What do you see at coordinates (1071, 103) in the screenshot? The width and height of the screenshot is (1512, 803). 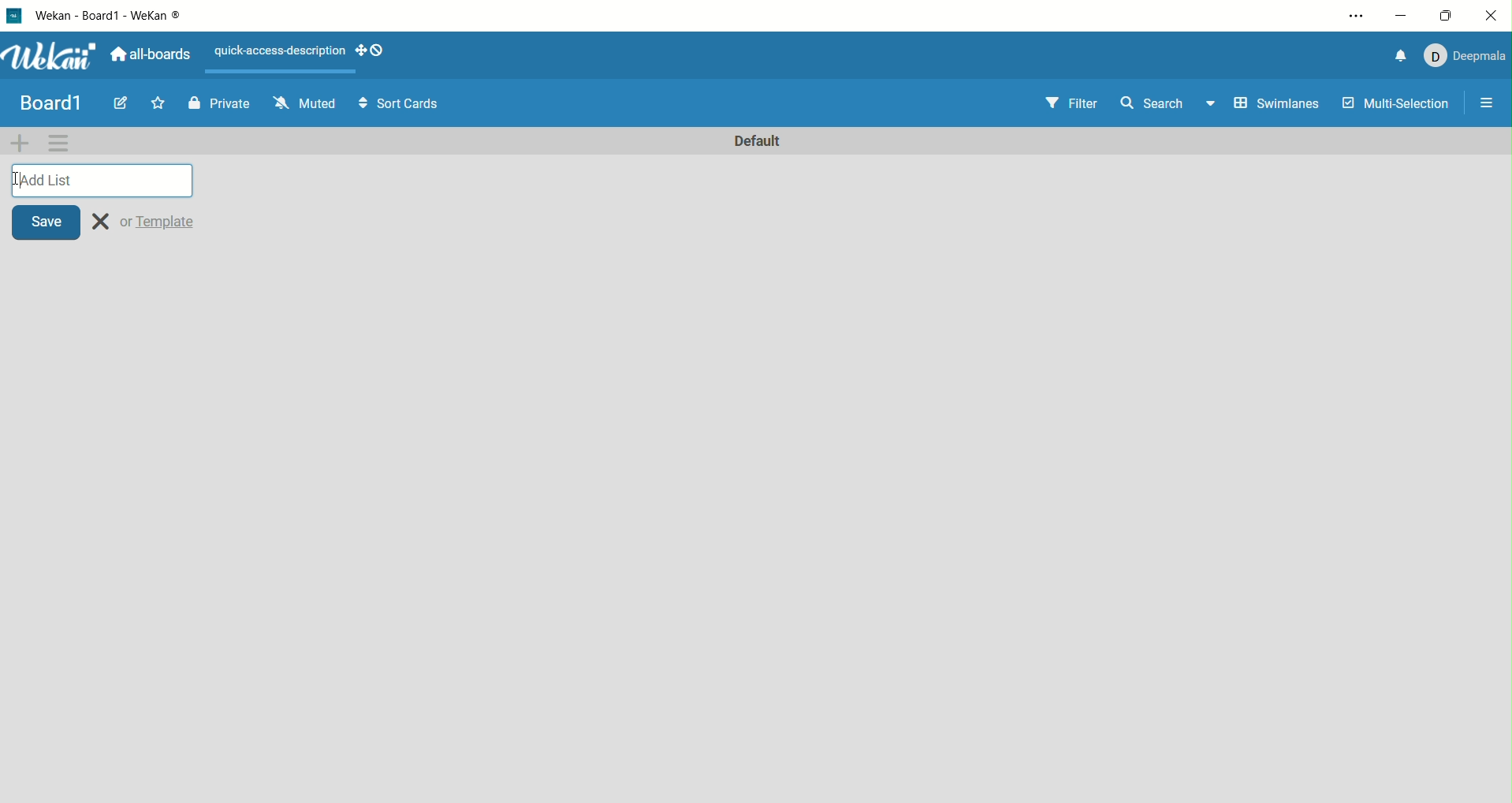 I see `filter` at bounding box center [1071, 103].